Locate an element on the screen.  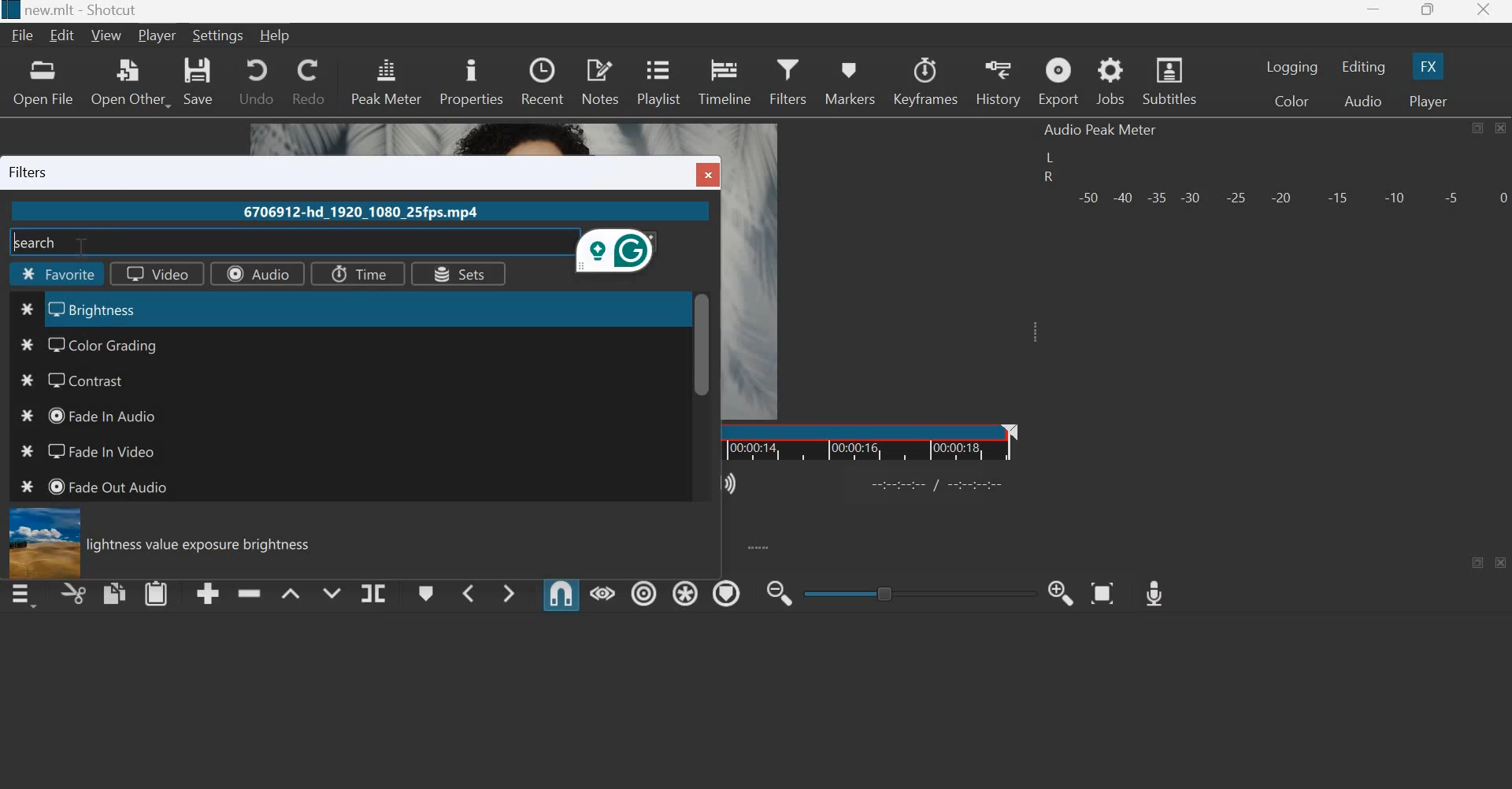
Split at playhead is located at coordinates (372, 594).